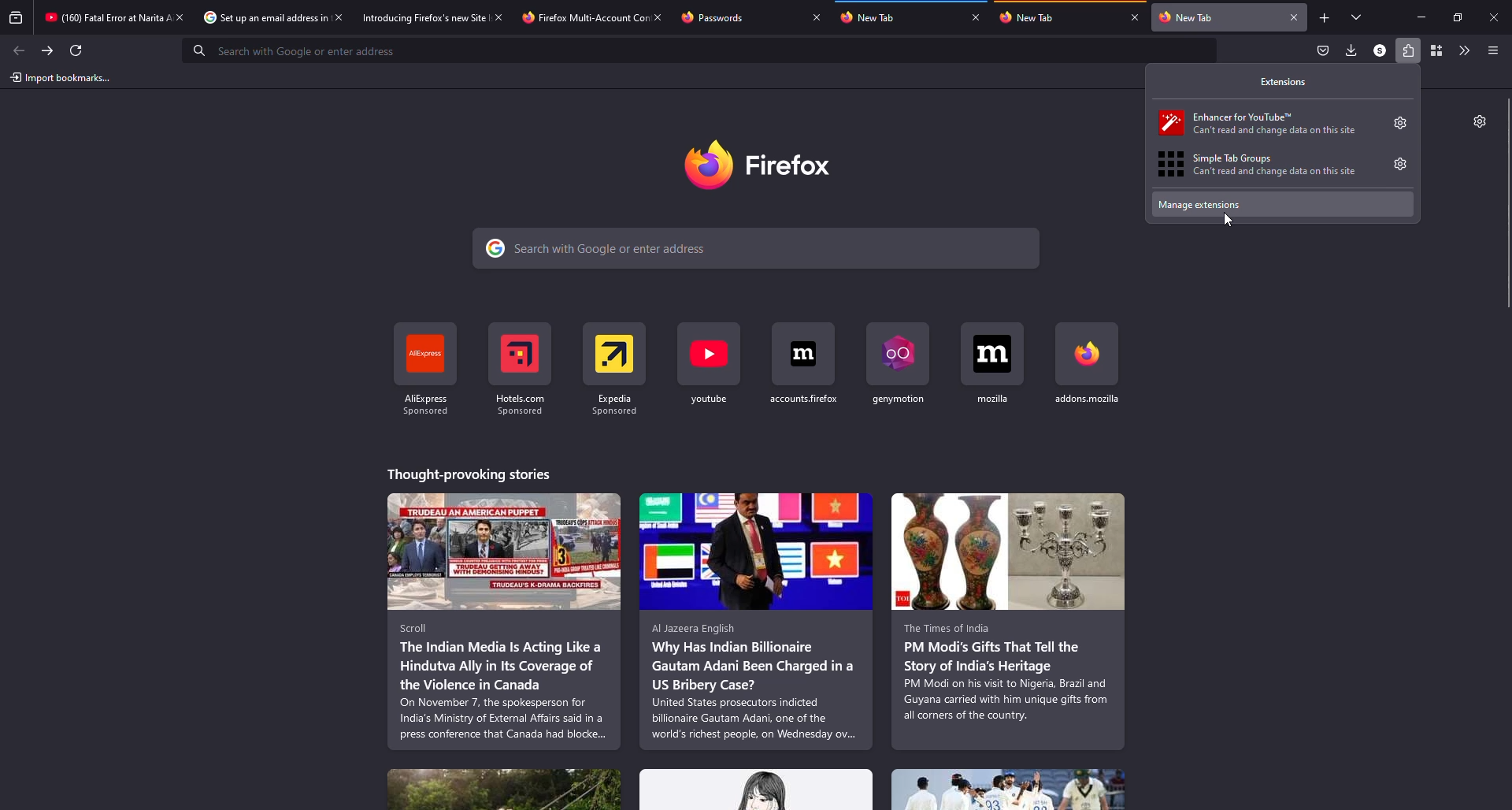 The image size is (1512, 810). What do you see at coordinates (1477, 121) in the screenshot?
I see `settings` at bounding box center [1477, 121].